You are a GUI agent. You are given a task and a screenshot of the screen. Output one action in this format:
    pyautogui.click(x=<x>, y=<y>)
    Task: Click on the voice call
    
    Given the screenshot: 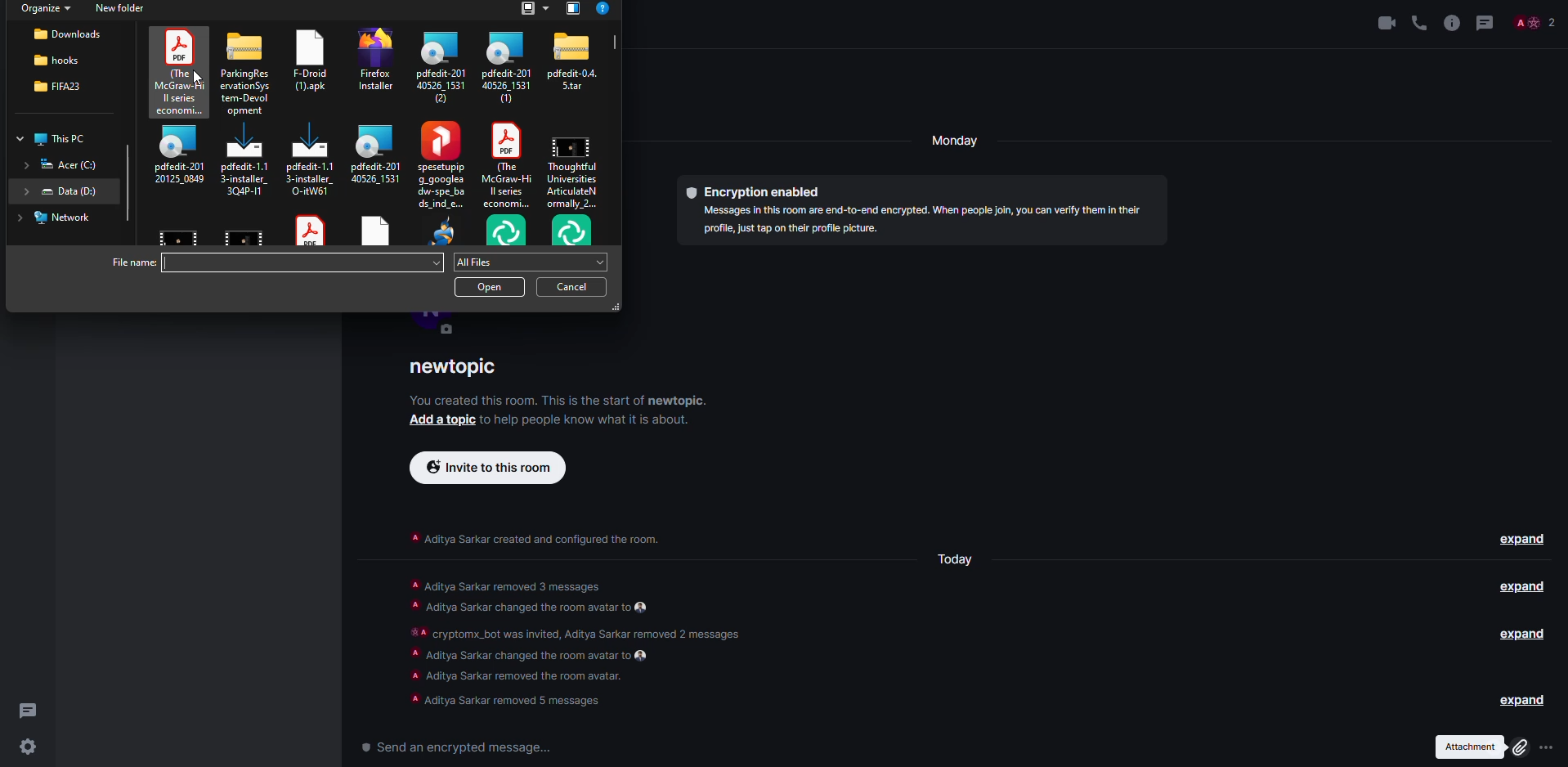 What is the action you would take?
    pyautogui.click(x=1419, y=22)
    